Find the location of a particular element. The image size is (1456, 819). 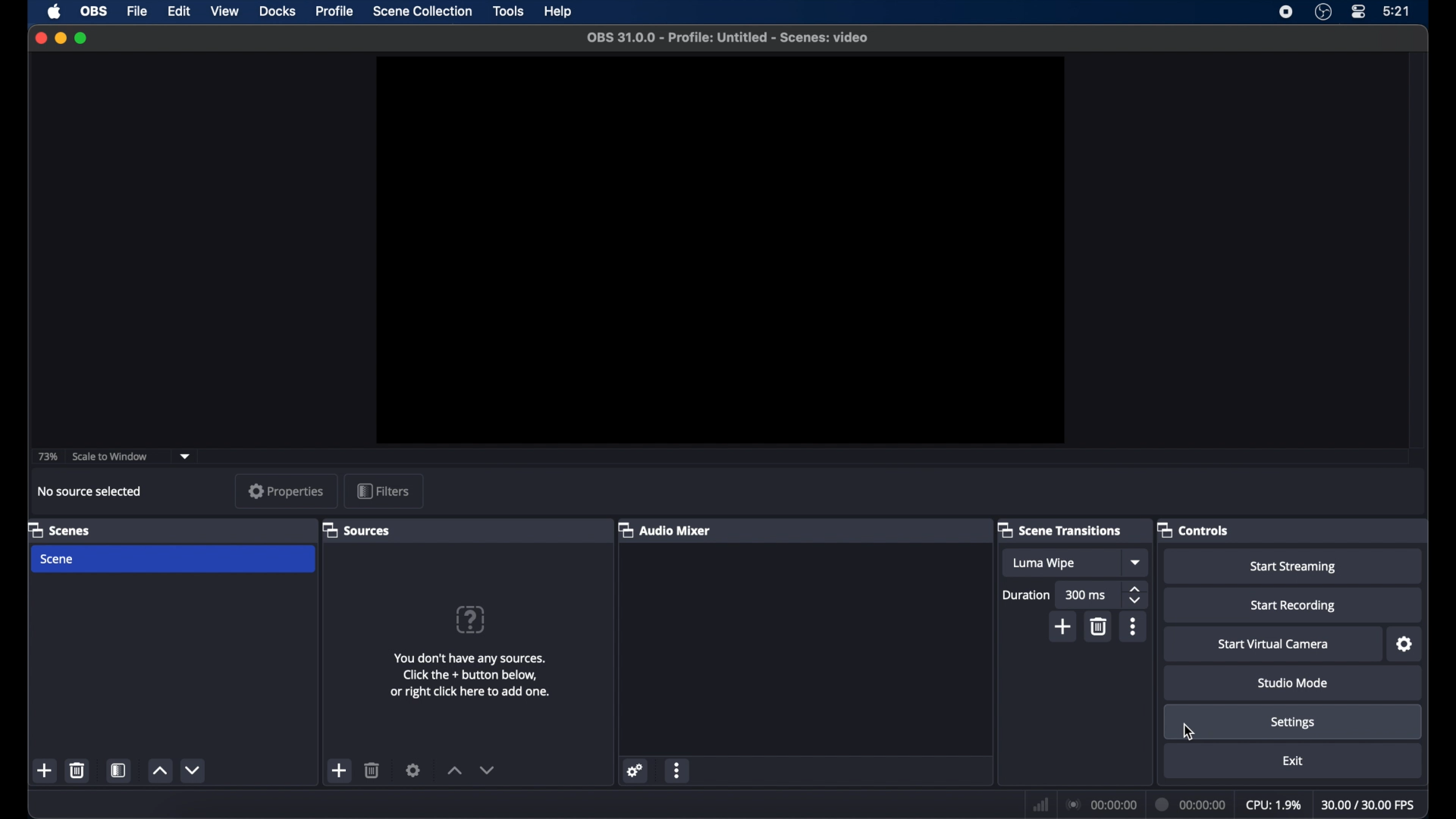

fps is located at coordinates (1368, 805).